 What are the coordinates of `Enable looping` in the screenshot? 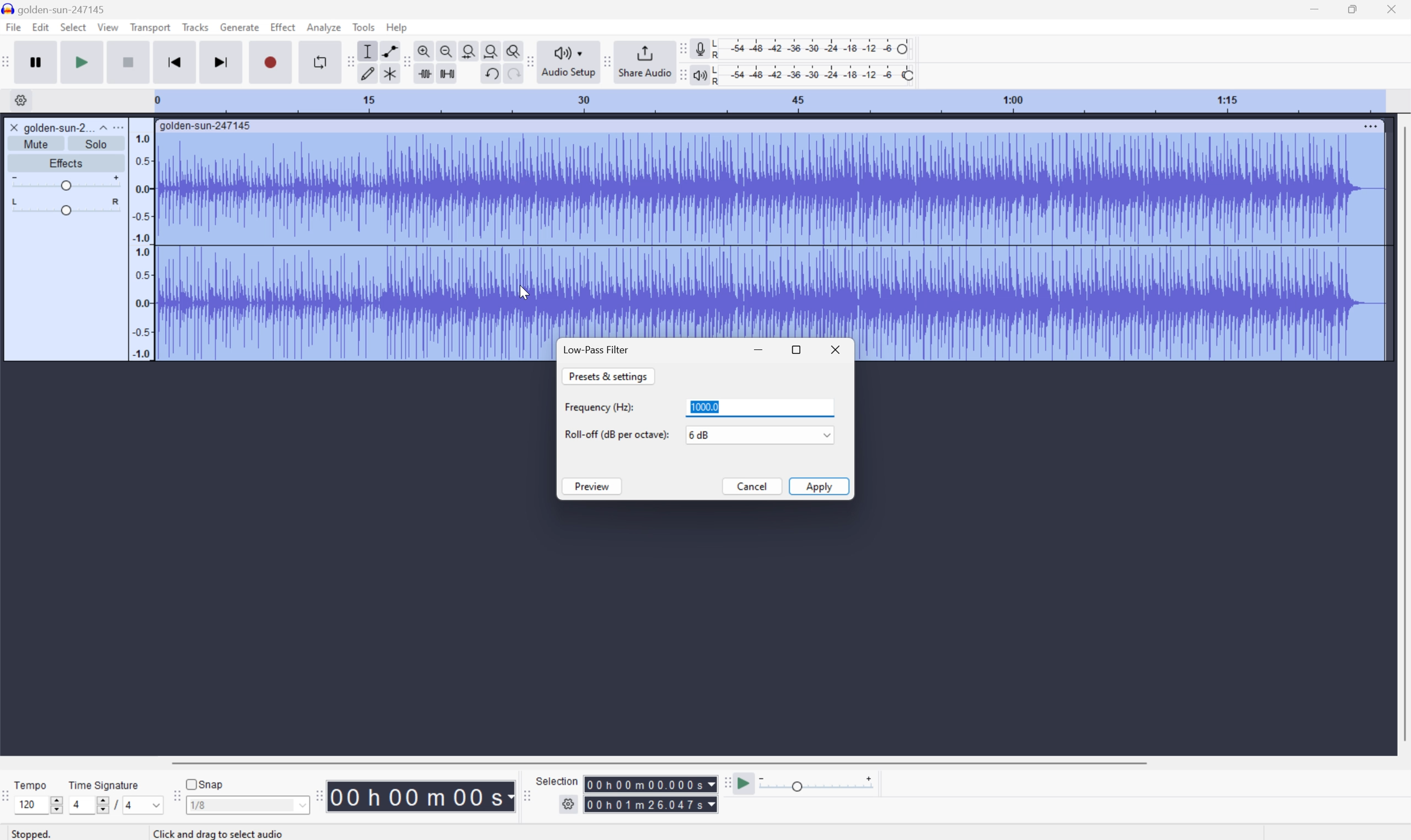 It's located at (319, 62).